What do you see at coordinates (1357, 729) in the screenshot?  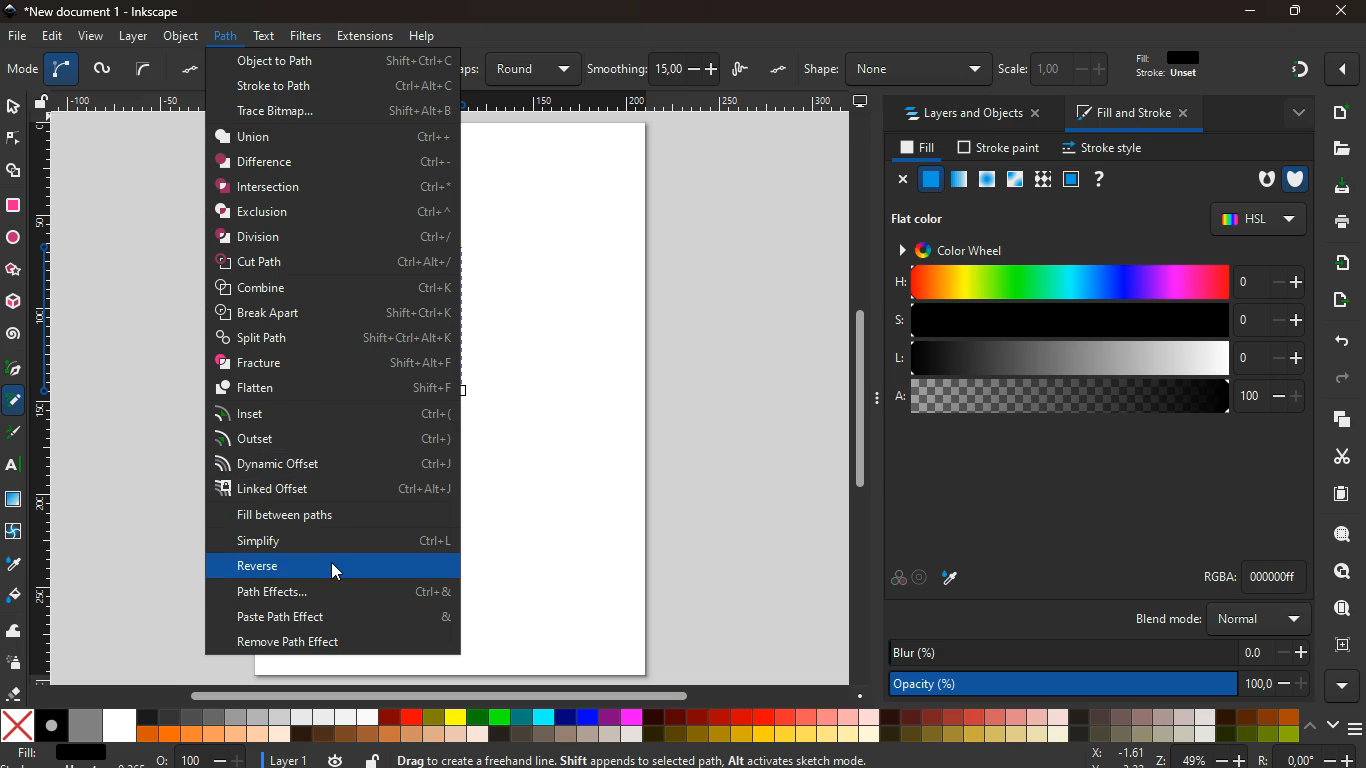 I see `menu` at bounding box center [1357, 729].